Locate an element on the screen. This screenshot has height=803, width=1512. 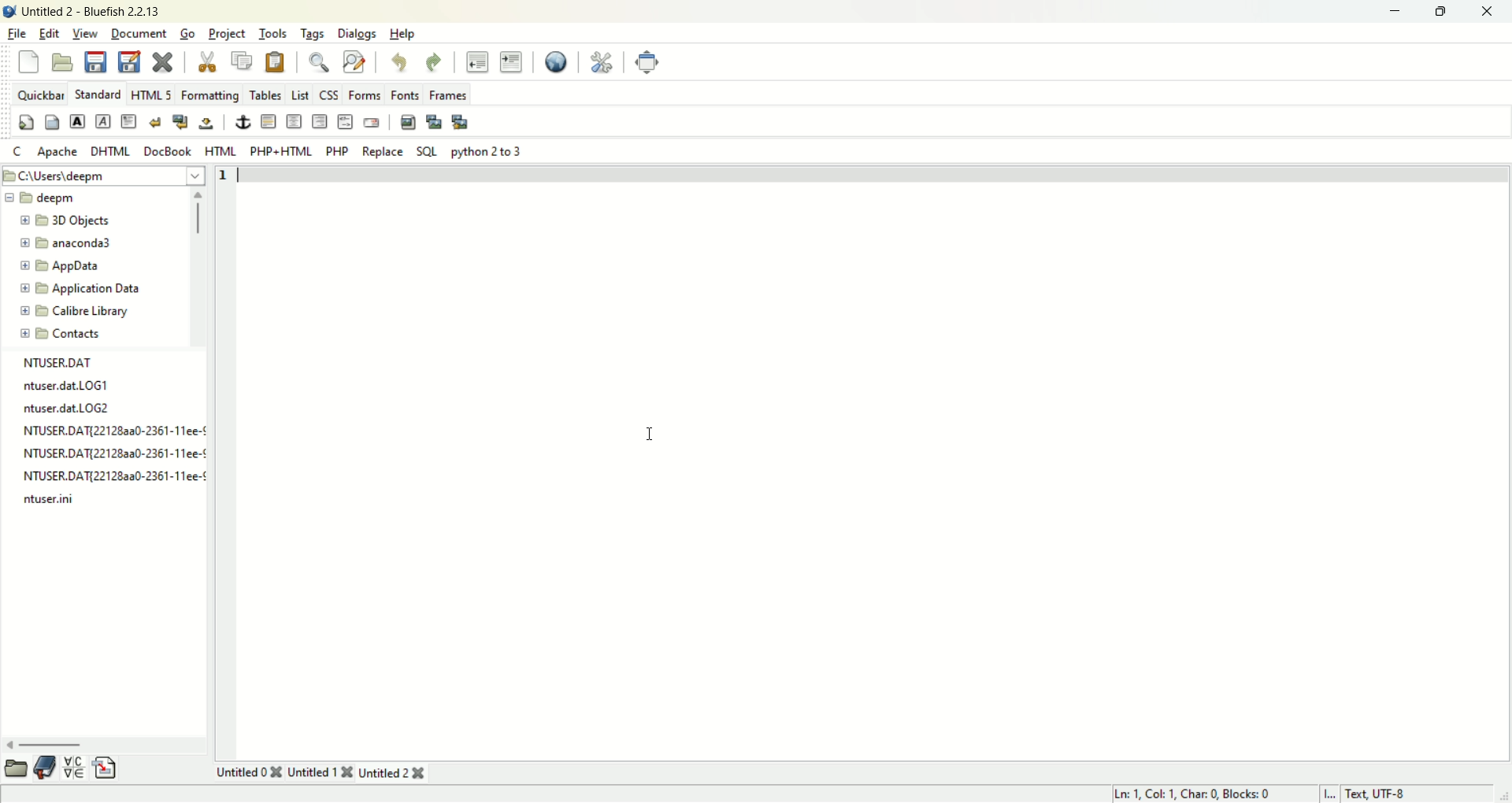
non breaking space is located at coordinates (209, 121).